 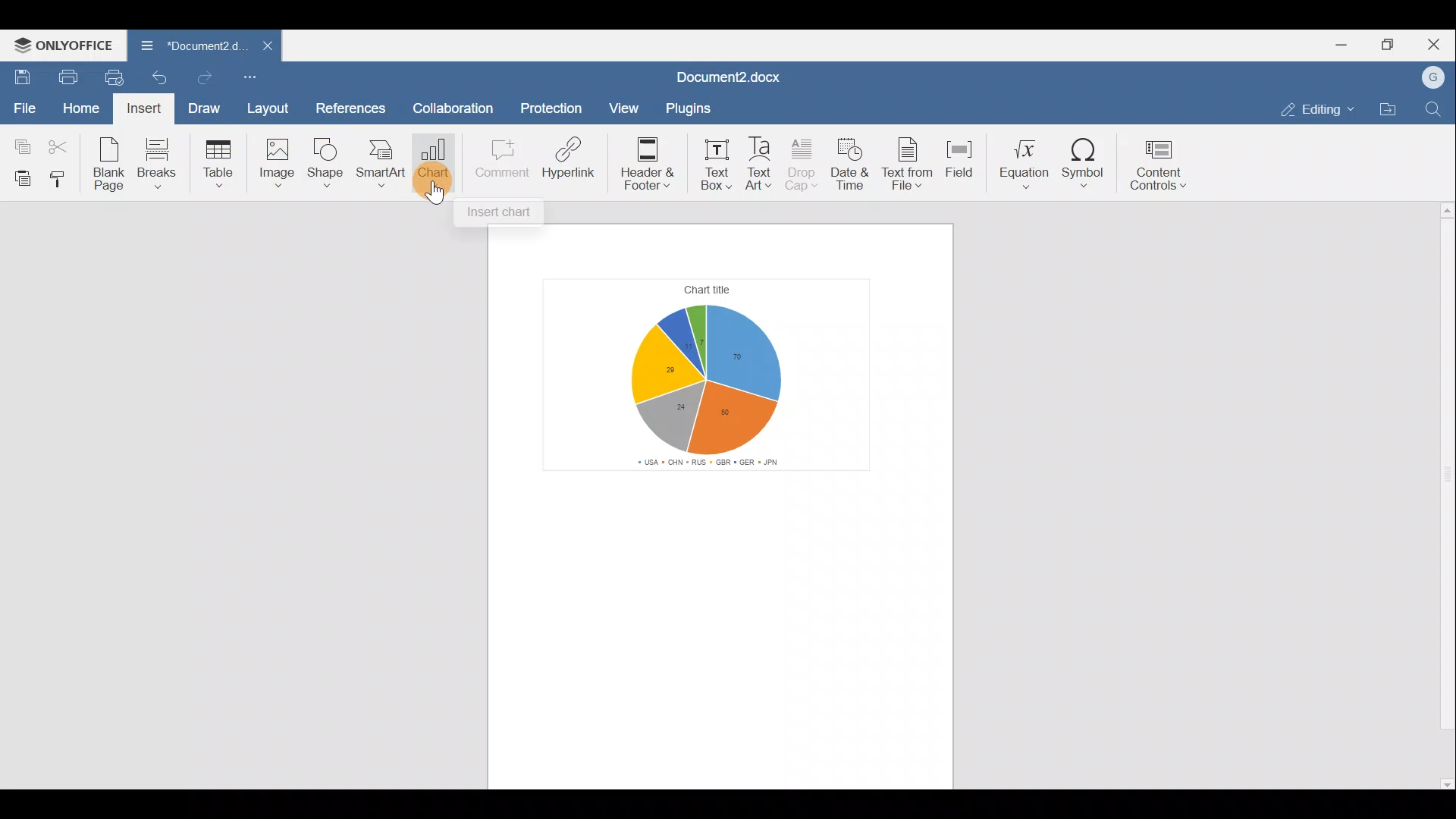 I want to click on Plugins, so click(x=687, y=106).